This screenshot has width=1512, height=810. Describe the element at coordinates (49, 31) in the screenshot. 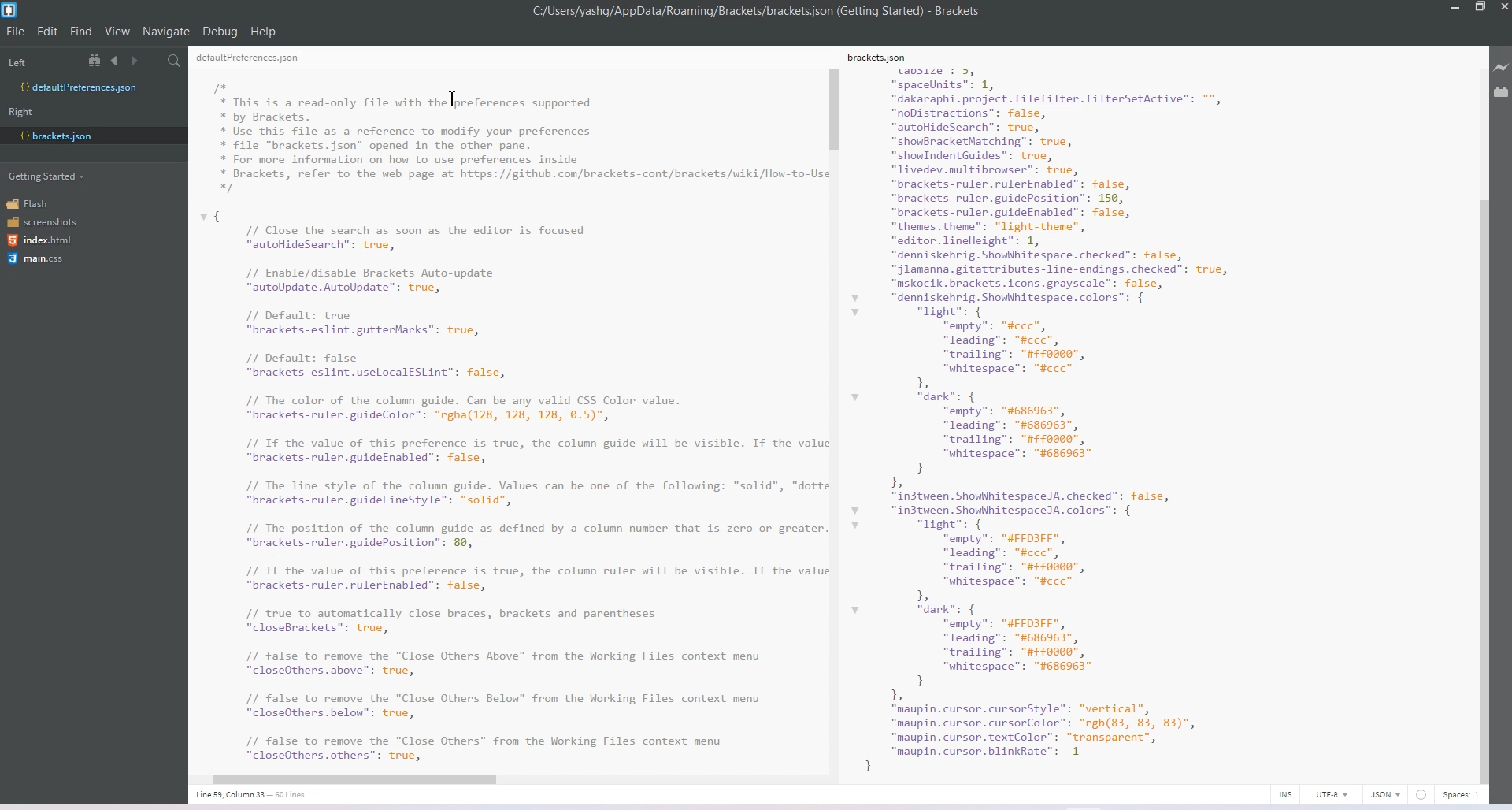

I see `Edit` at that location.